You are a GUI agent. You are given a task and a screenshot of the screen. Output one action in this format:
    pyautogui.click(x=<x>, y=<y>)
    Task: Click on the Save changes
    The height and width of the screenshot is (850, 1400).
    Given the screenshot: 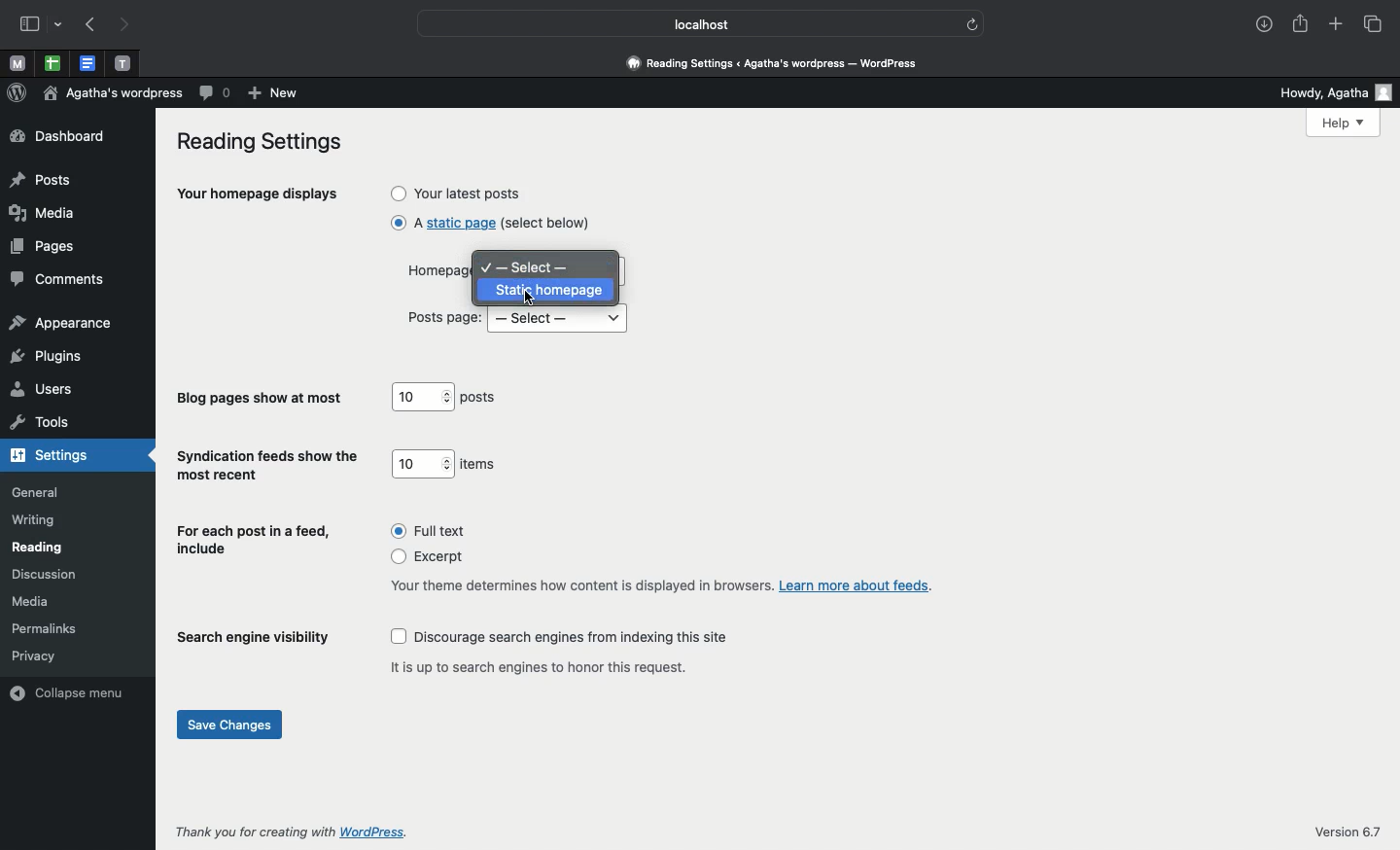 What is the action you would take?
    pyautogui.click(x=231, y=726)
    